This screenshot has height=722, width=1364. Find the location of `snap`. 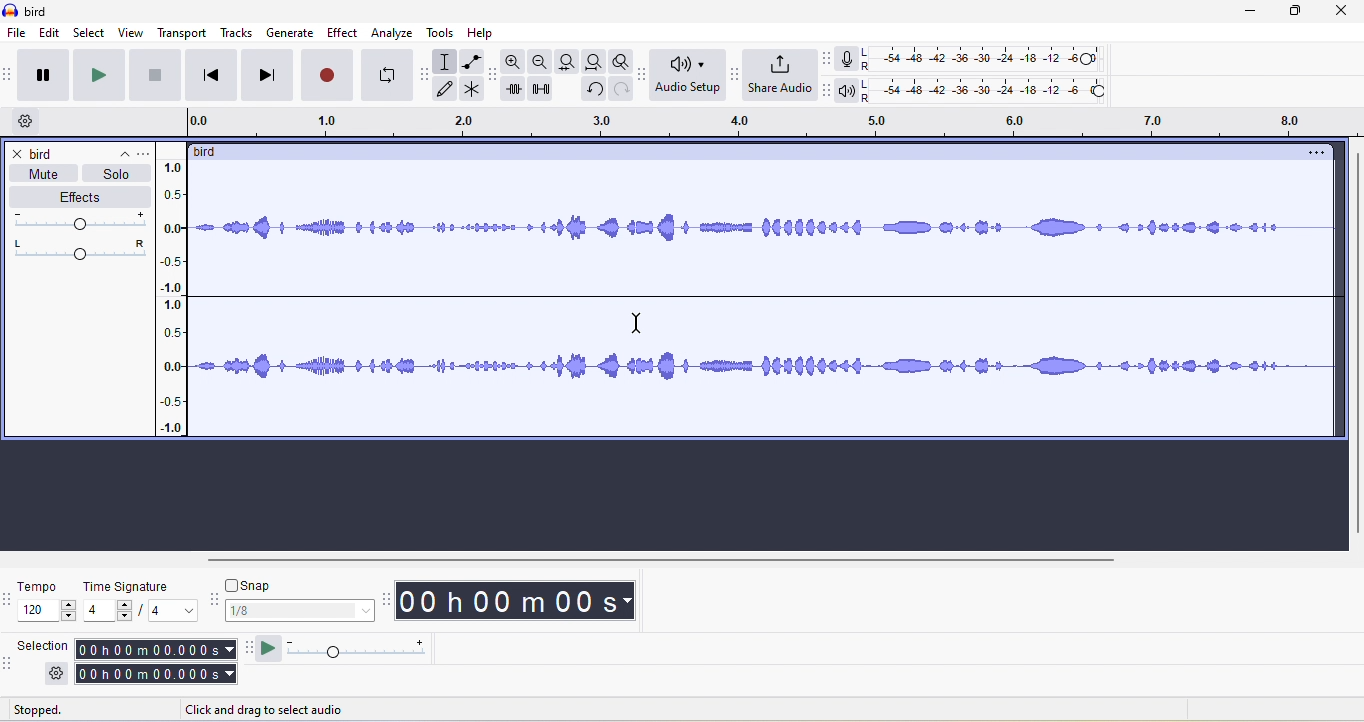

snap is located at coordinates (301, 612).